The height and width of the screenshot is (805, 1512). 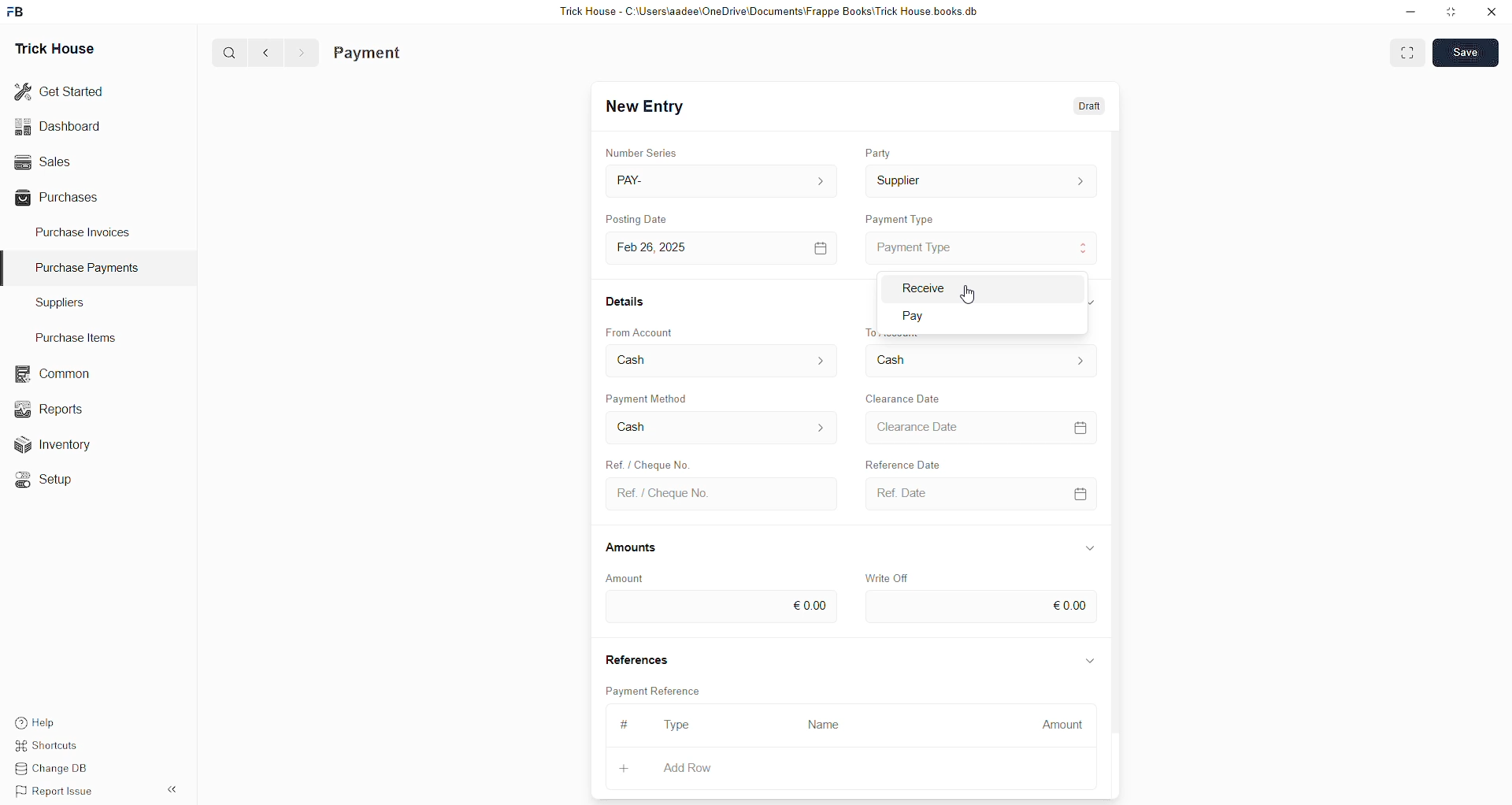 What do you see at coordinates (634, 577) in the screenshot?
I see `Amount` at bounding box center [634, 577].